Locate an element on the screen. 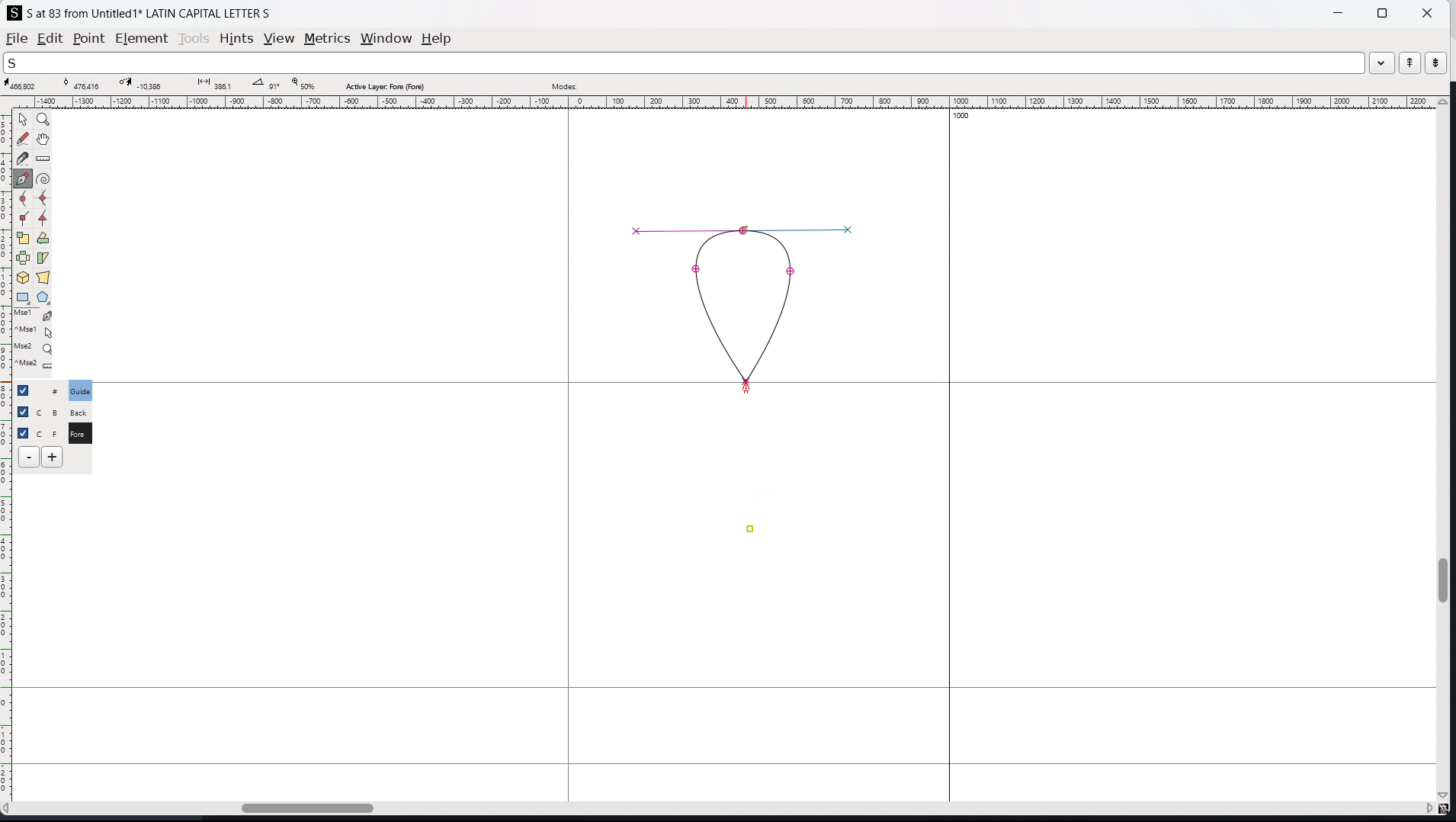  pointer is located at coordinates (24, 119).